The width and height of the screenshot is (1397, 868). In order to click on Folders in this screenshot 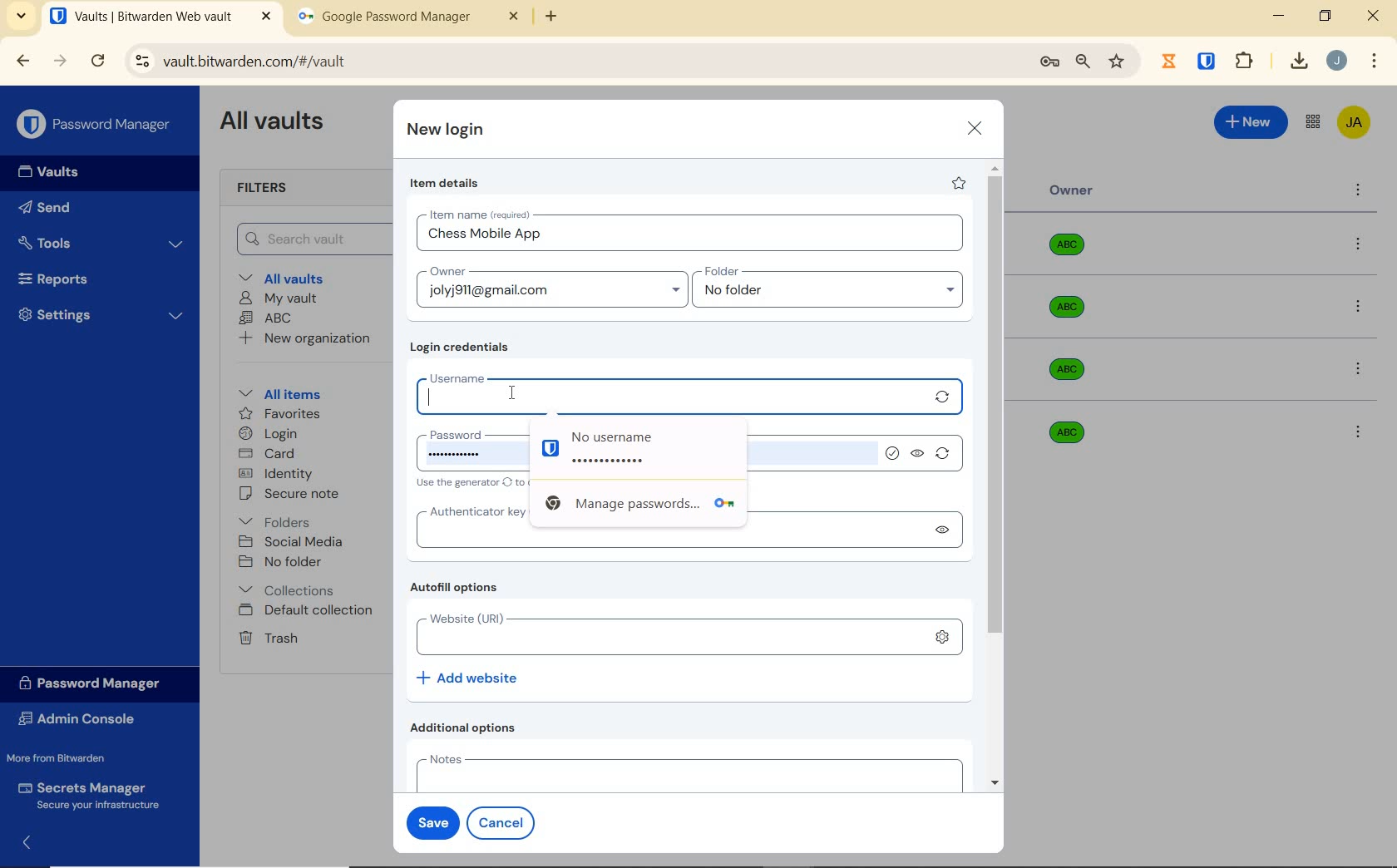, I will do `click(278, 519)`.